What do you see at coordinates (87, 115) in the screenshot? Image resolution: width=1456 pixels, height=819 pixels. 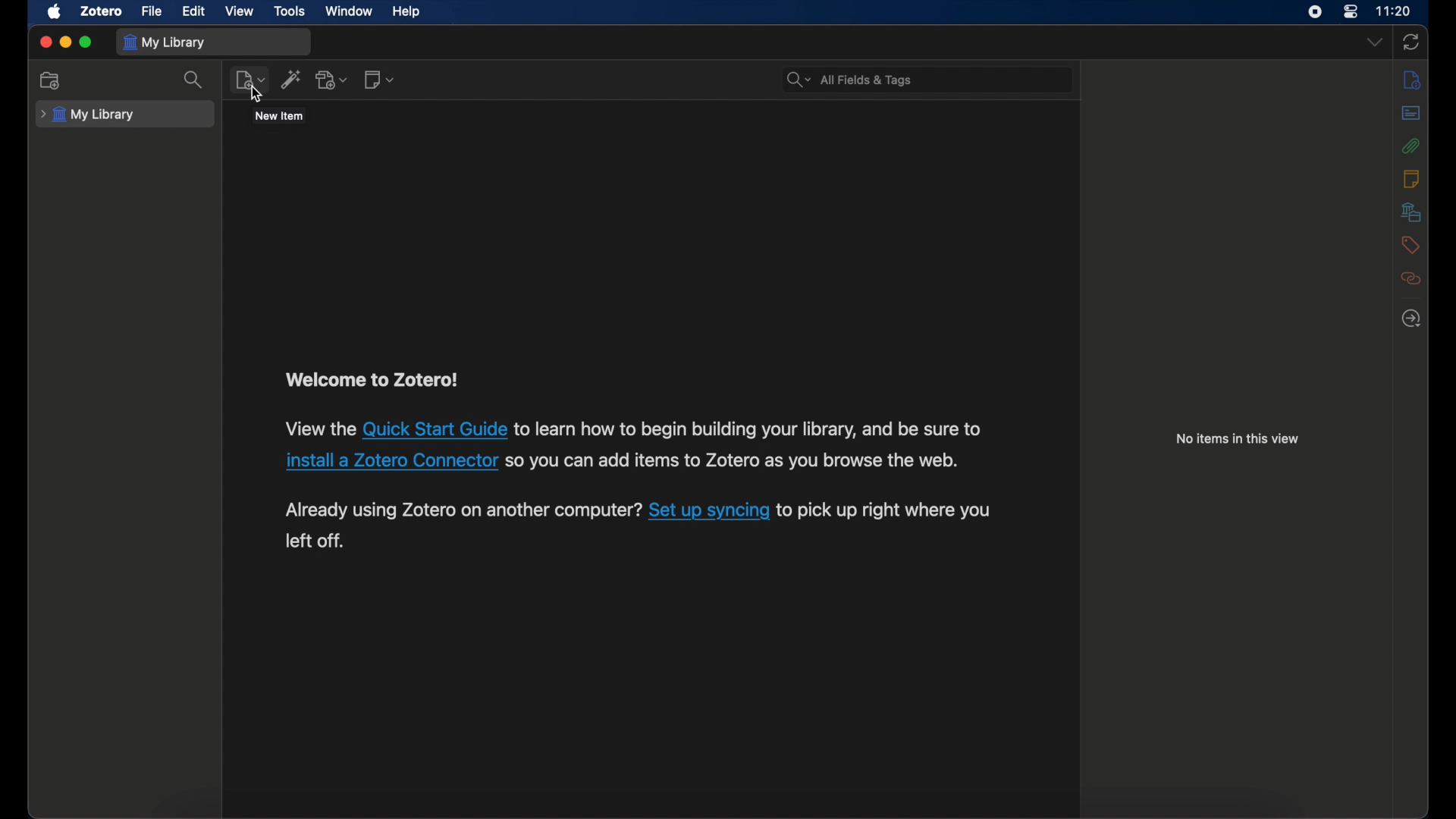 I see `my library` at bounding box center [87, 115].